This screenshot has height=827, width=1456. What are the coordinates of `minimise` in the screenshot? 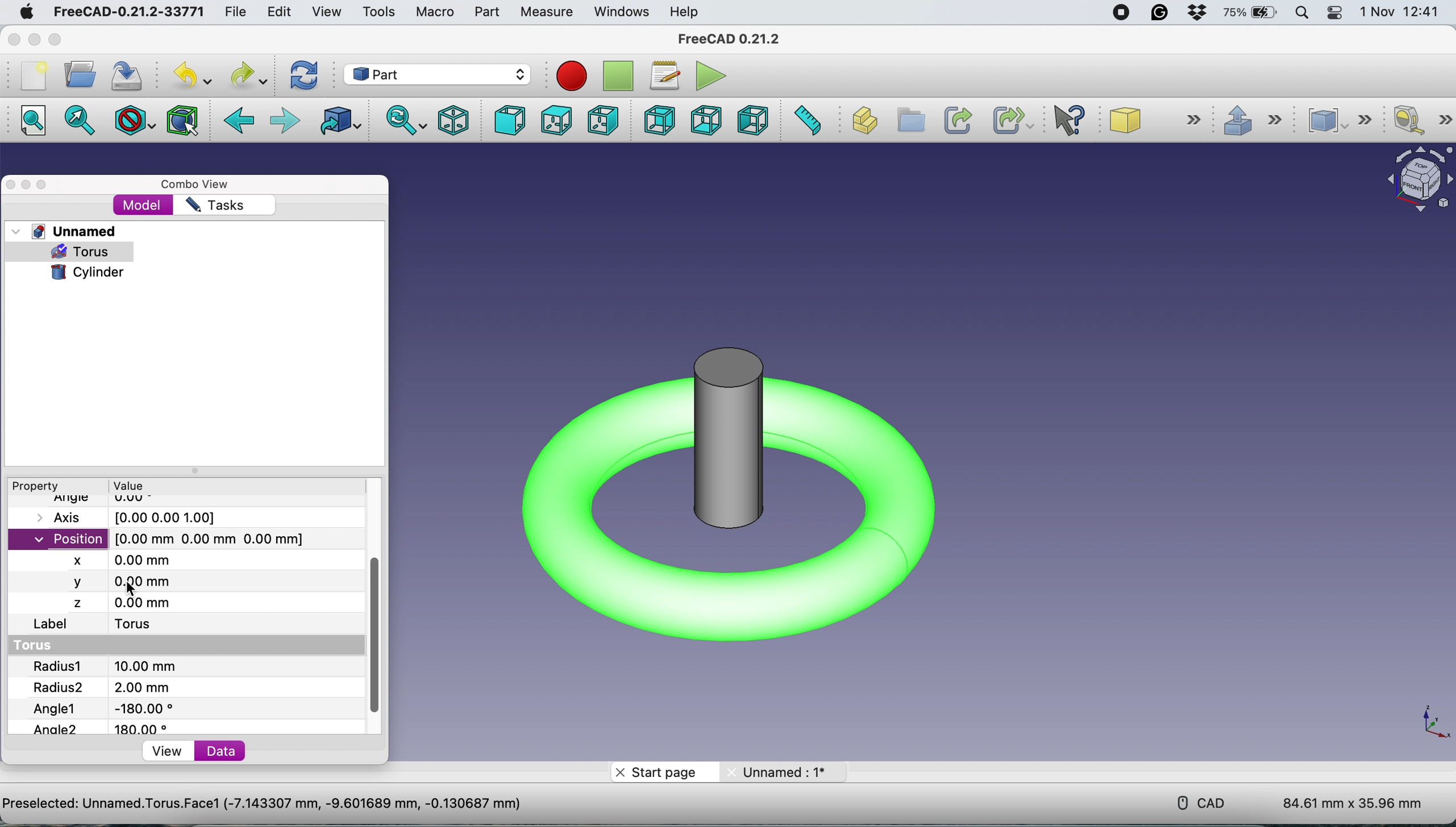 It's located at (27, 186).